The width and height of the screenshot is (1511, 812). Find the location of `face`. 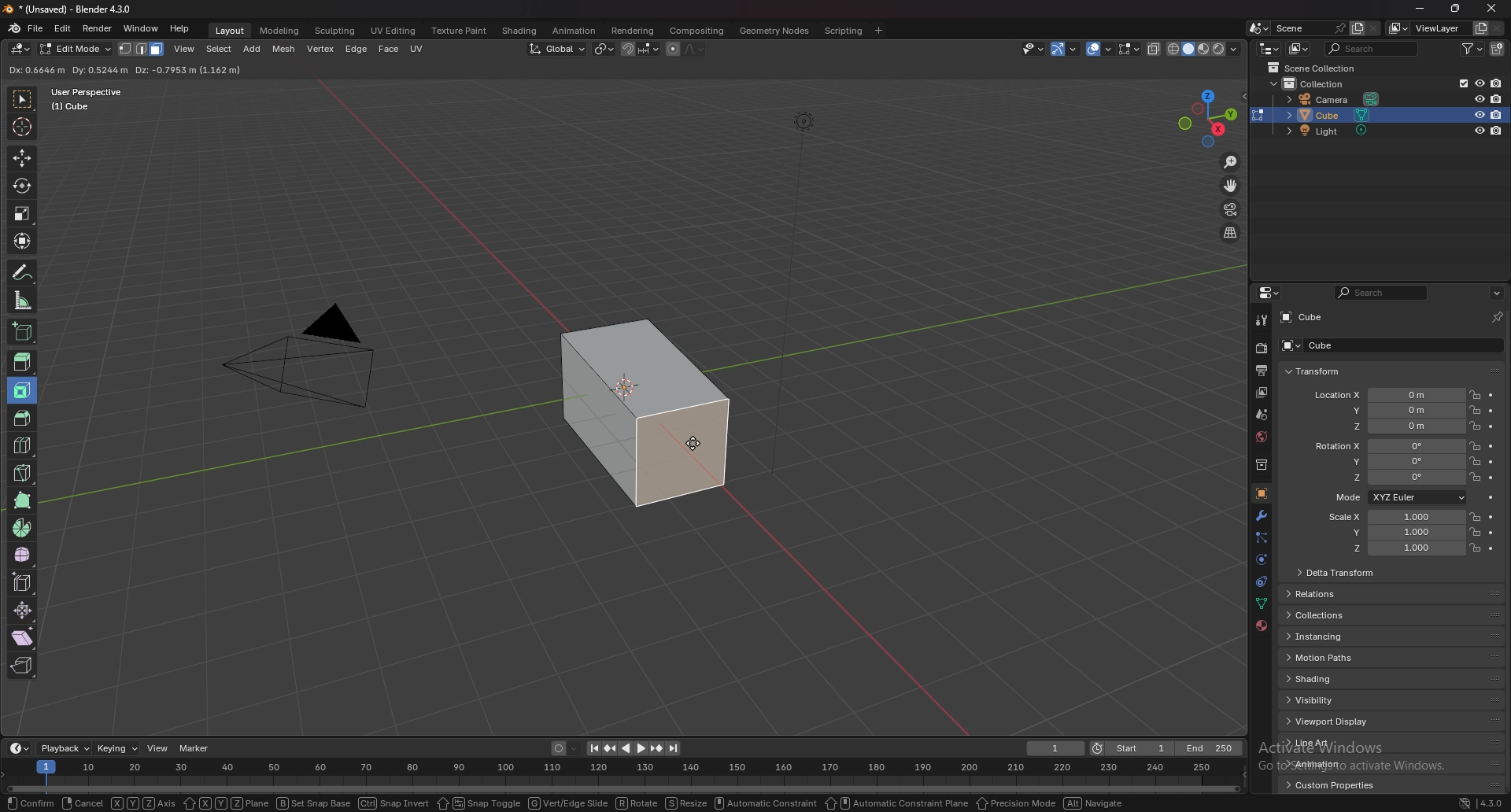

face is located at coordinates (389, 50).